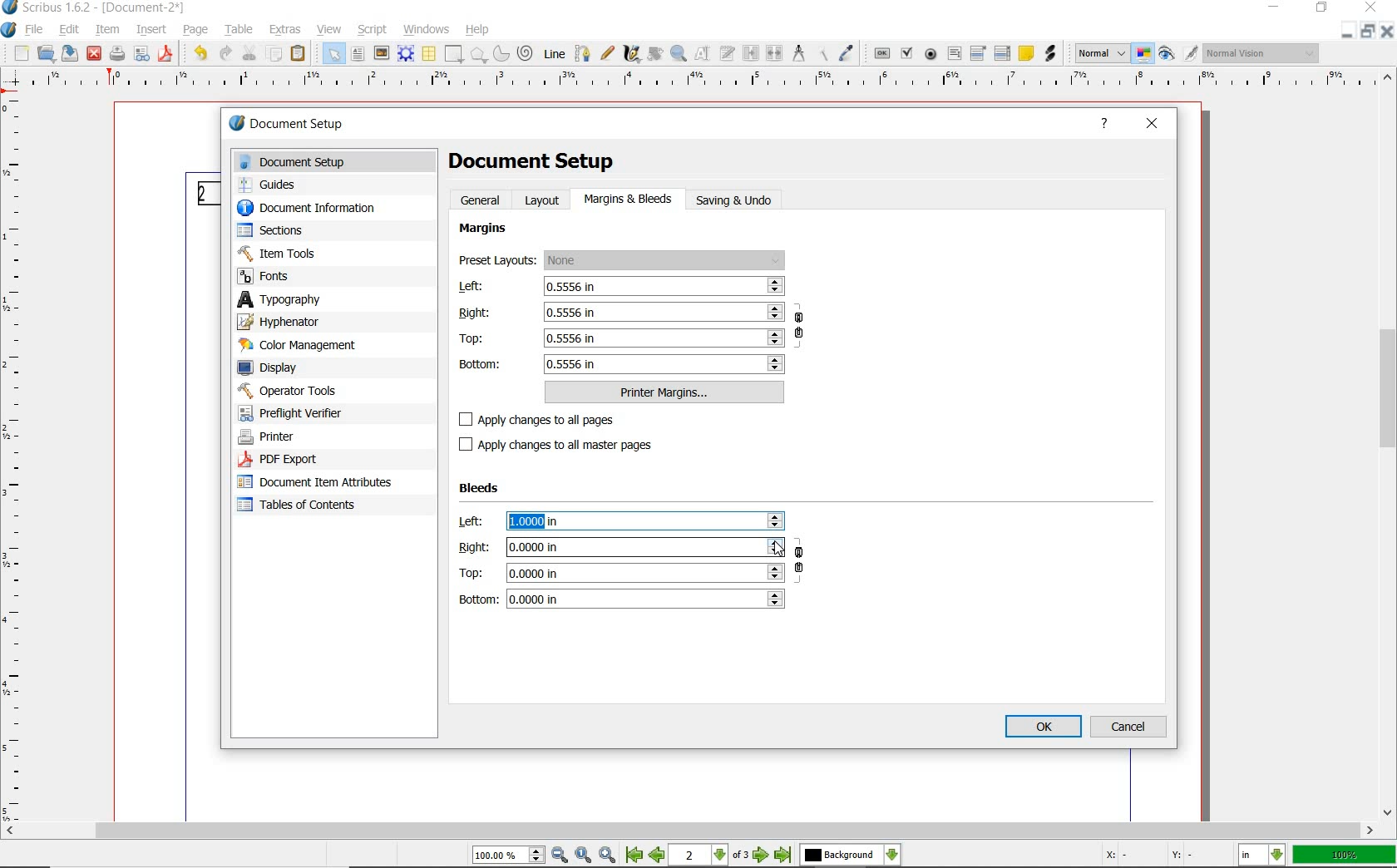 This screenshot has width=1397, height=868. What do you see at coordinates (634, 856) in the screenshot?
I see `First Page` at bounding box center [634, 856].